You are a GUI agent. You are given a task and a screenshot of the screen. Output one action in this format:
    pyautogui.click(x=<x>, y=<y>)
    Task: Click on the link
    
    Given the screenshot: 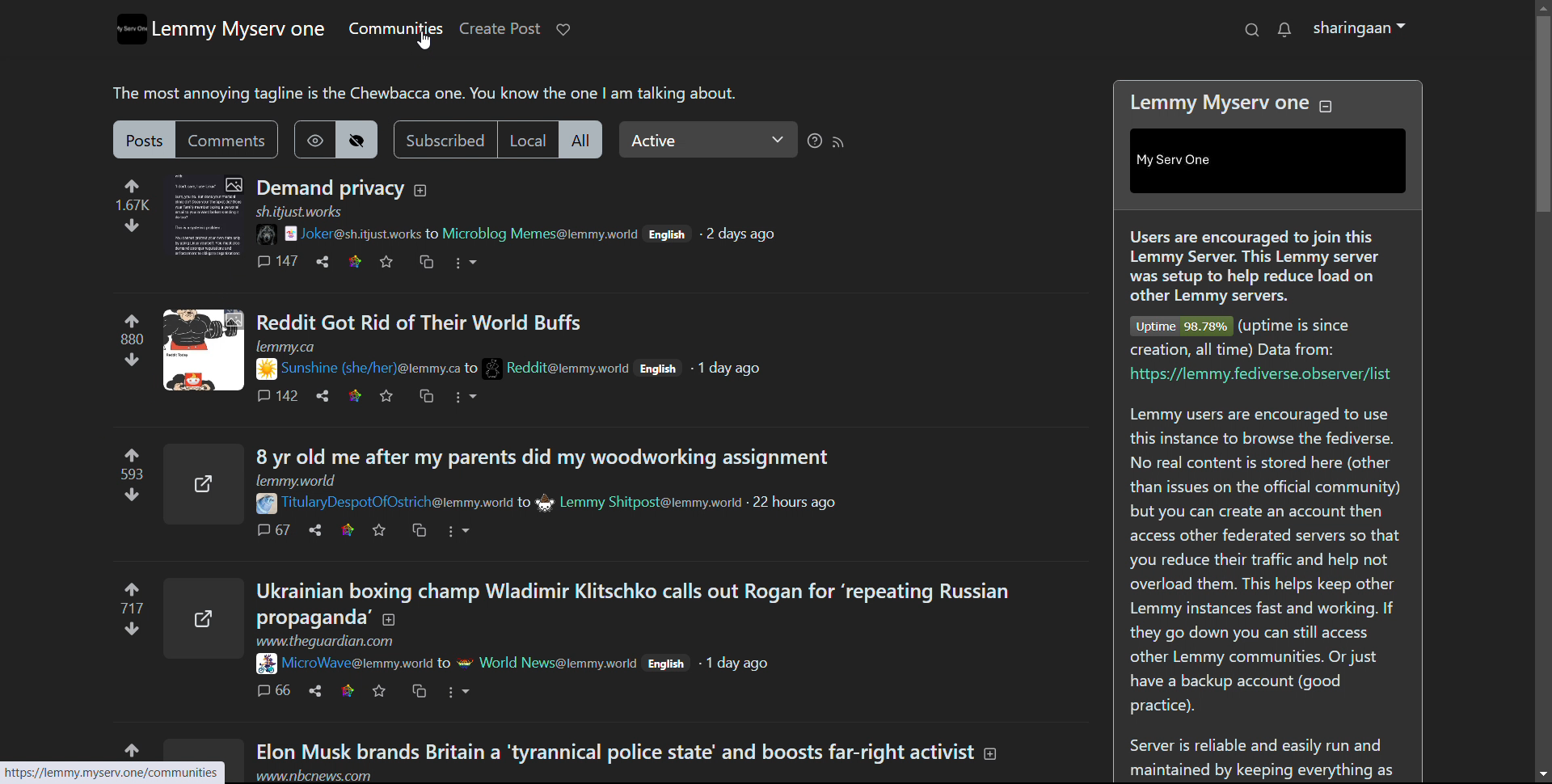 What is the action you would take?
    pyautogui.click(x=345, y=529)
    